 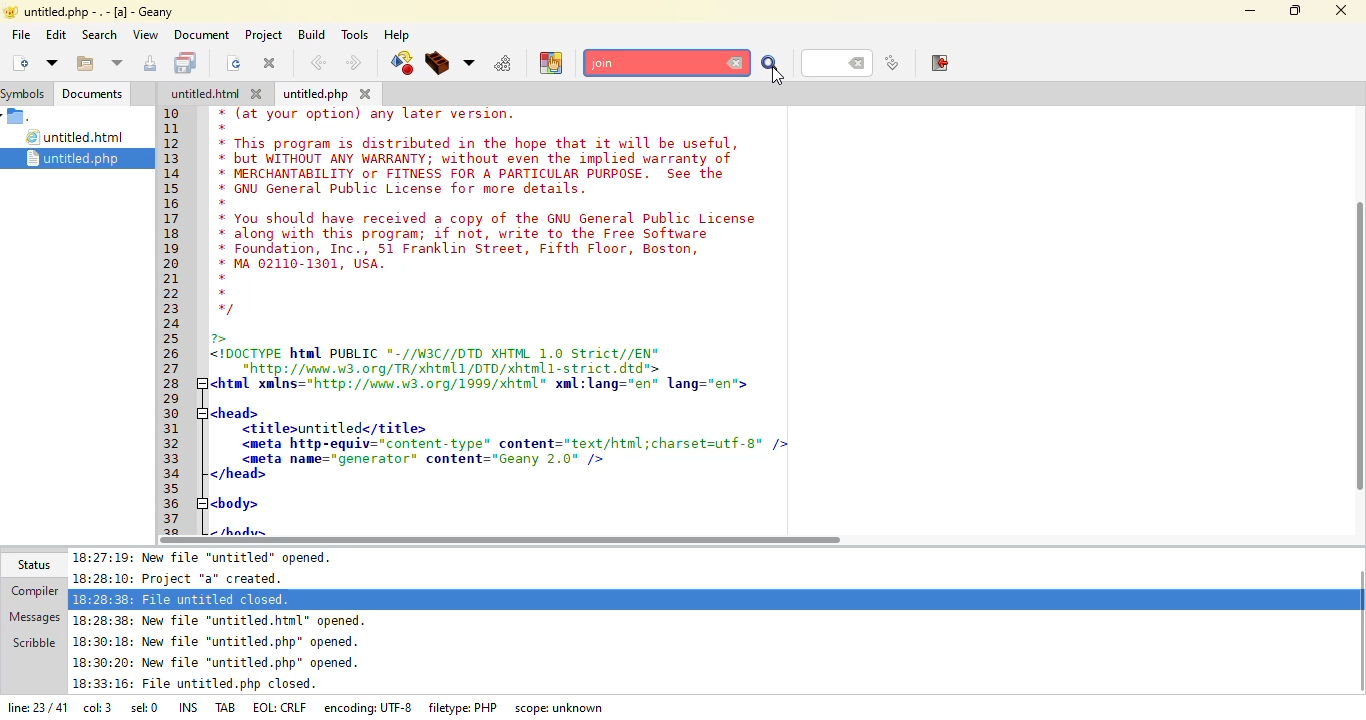 I want to click on join, so click(x=656, y=63).